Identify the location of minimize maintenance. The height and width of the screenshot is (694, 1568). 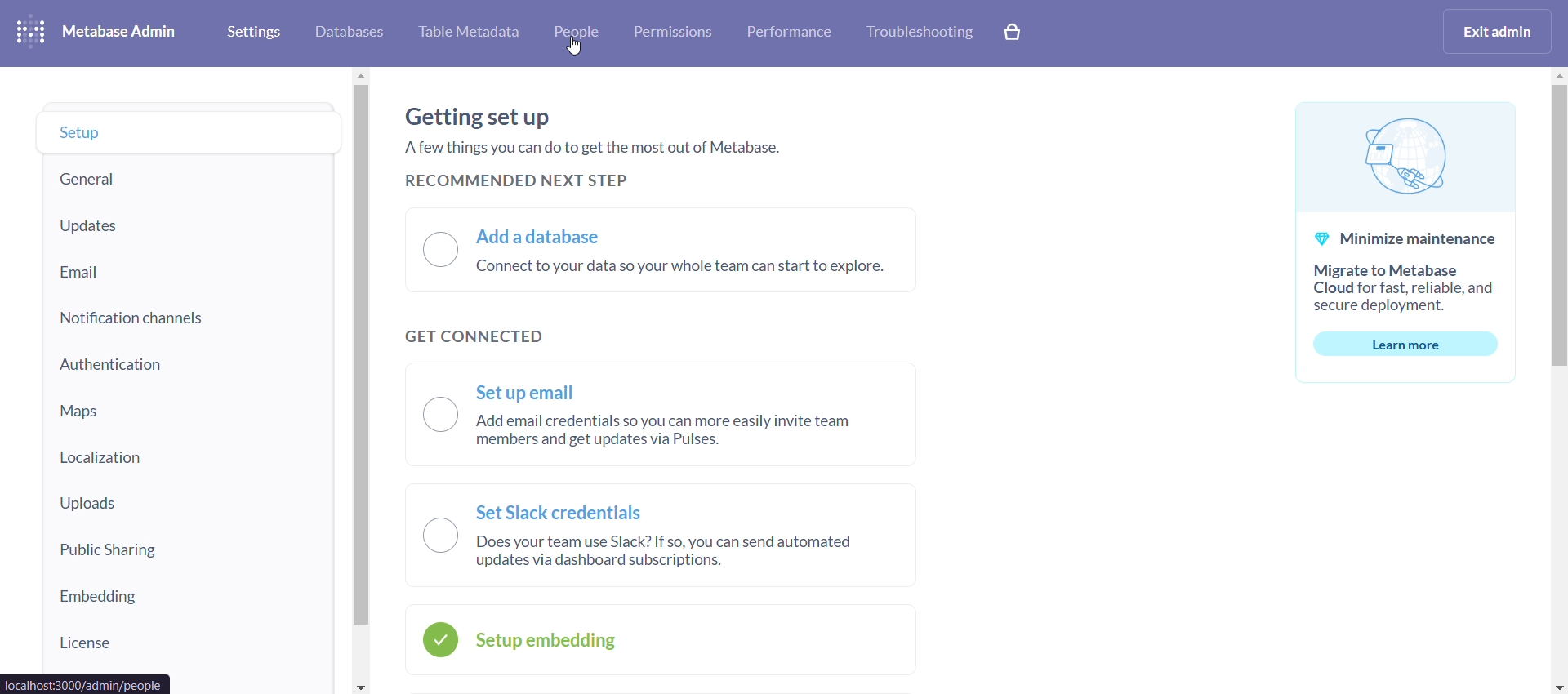
(1403, 241).